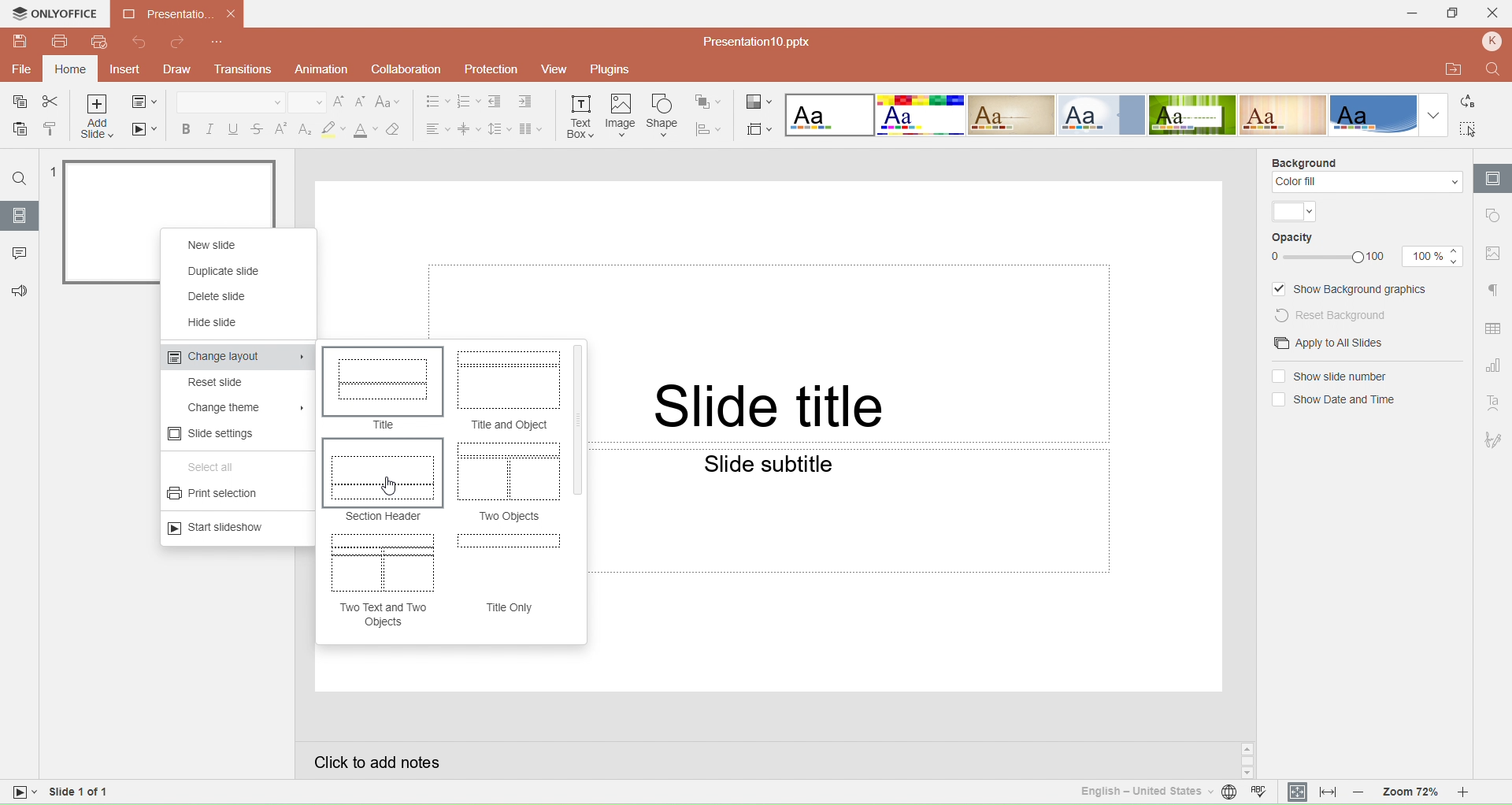  What do you see at coordinates (496, 102) in the screenshot?
I see `Decrease indent` at bounding box center [496, 102].